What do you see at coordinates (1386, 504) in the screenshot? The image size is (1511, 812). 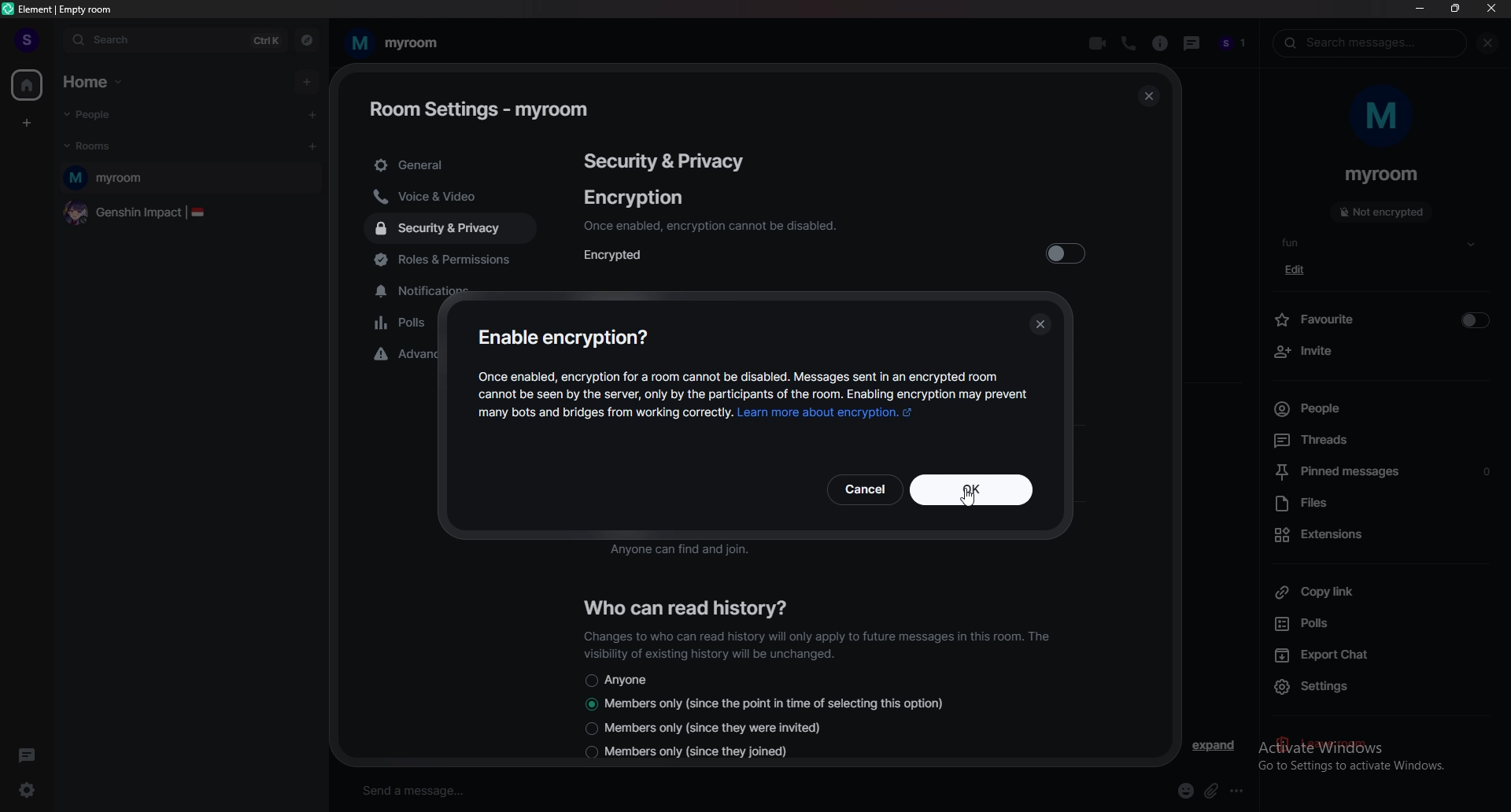 I see `files` at bounding box center [1386, 504].